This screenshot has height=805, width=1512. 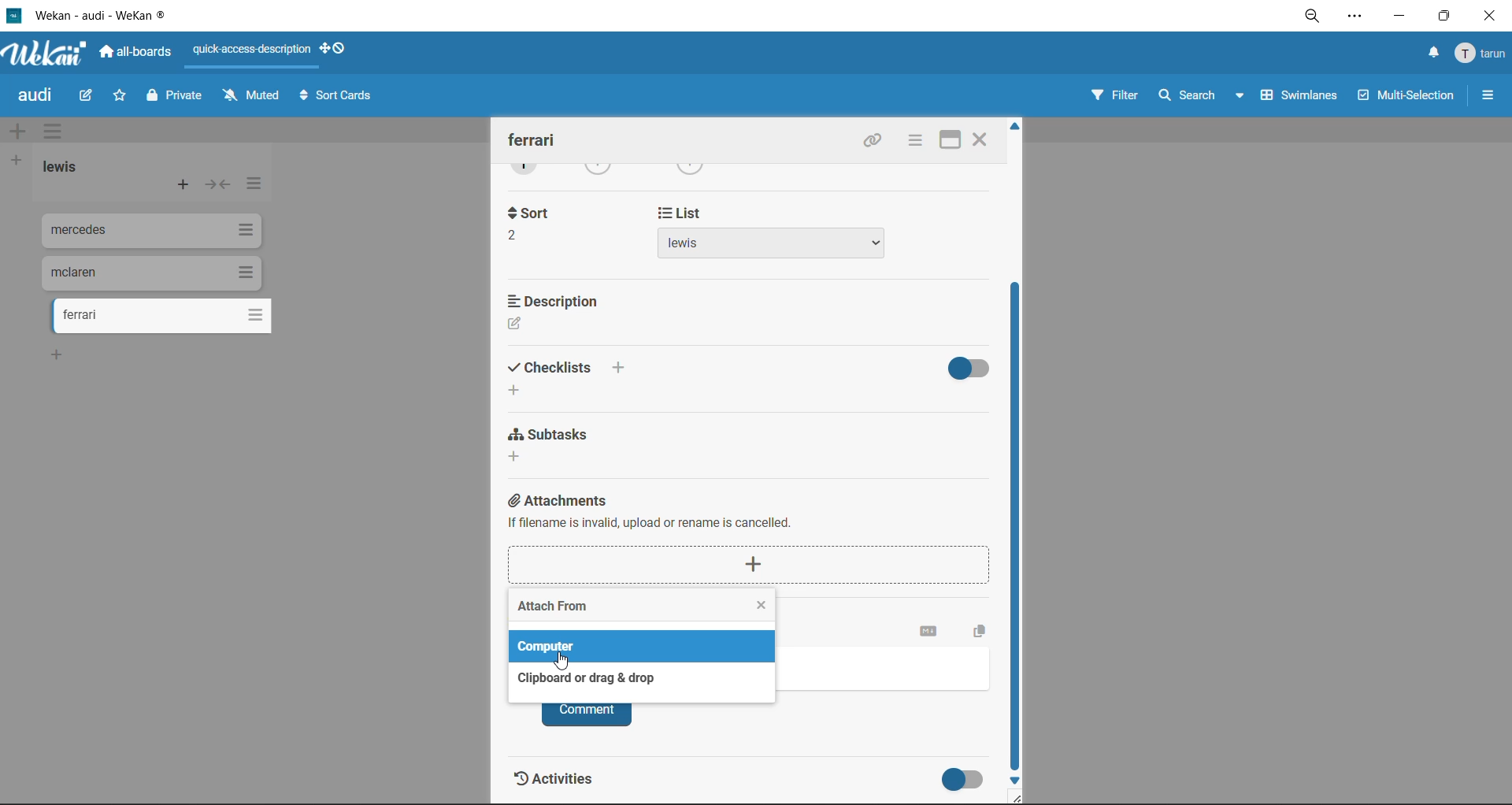 What do you see at coordinates (553, 609) in the screenshot?
I see `attach from` at bounding box center [553, 609].